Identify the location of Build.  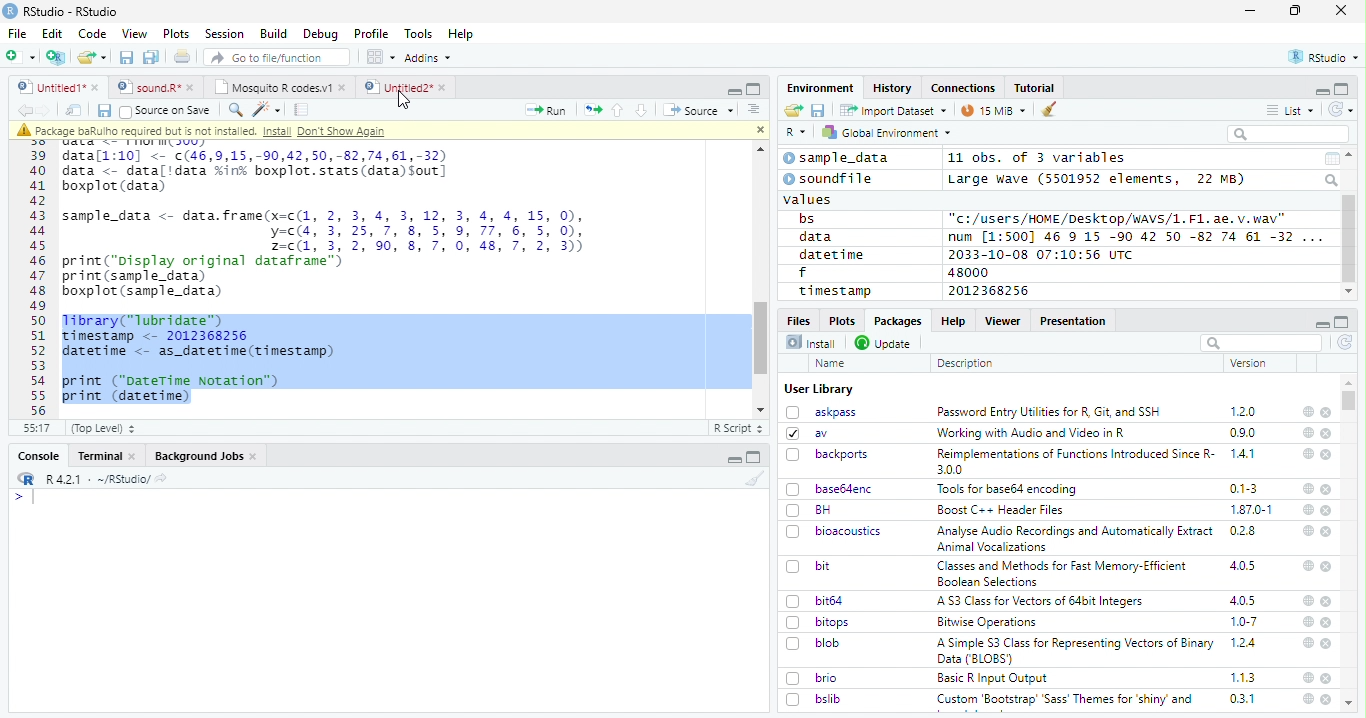
(273, 34).